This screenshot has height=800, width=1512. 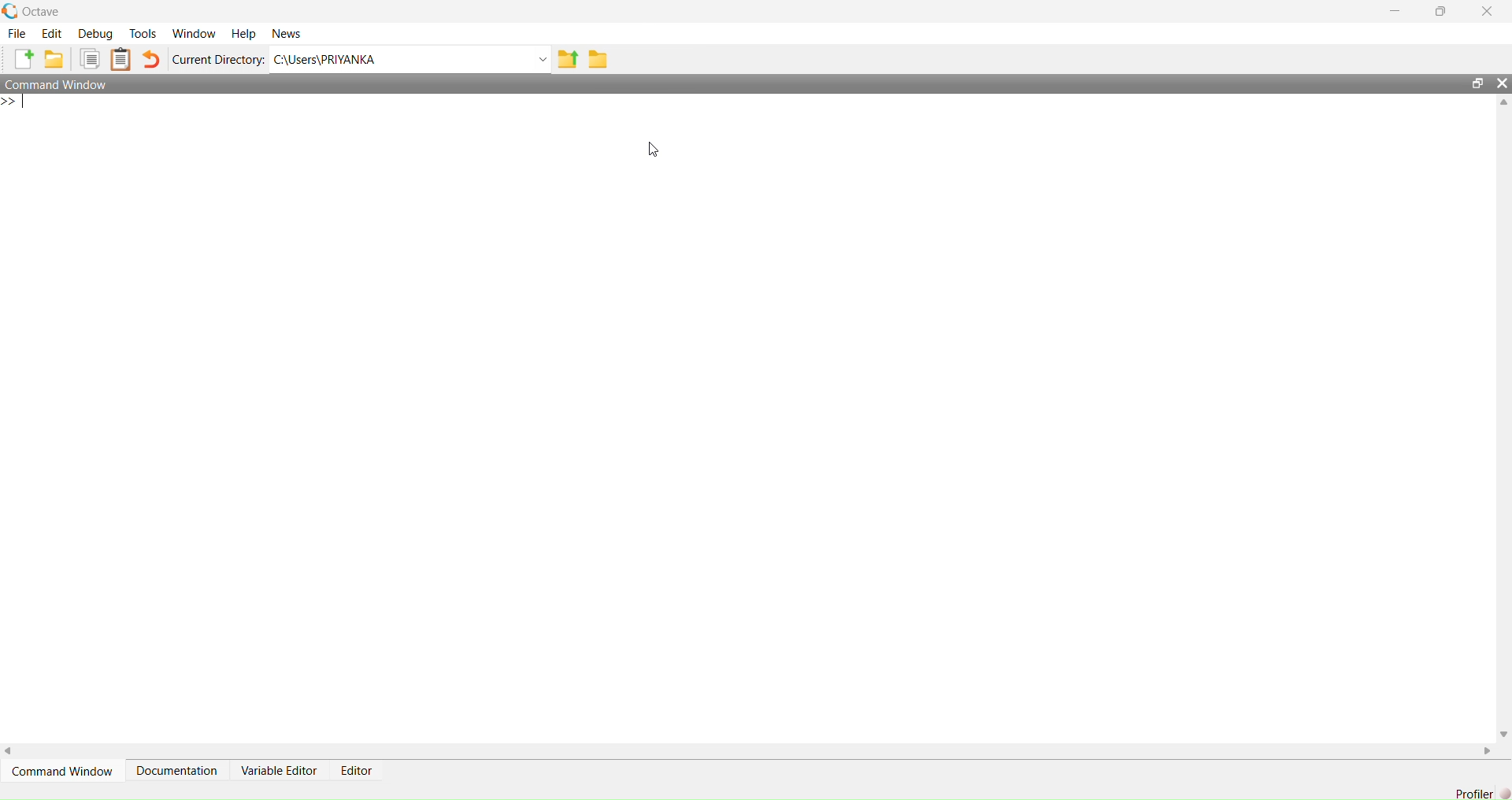 I want to click on Open an existing file in editor, so click(x=55, y=59).